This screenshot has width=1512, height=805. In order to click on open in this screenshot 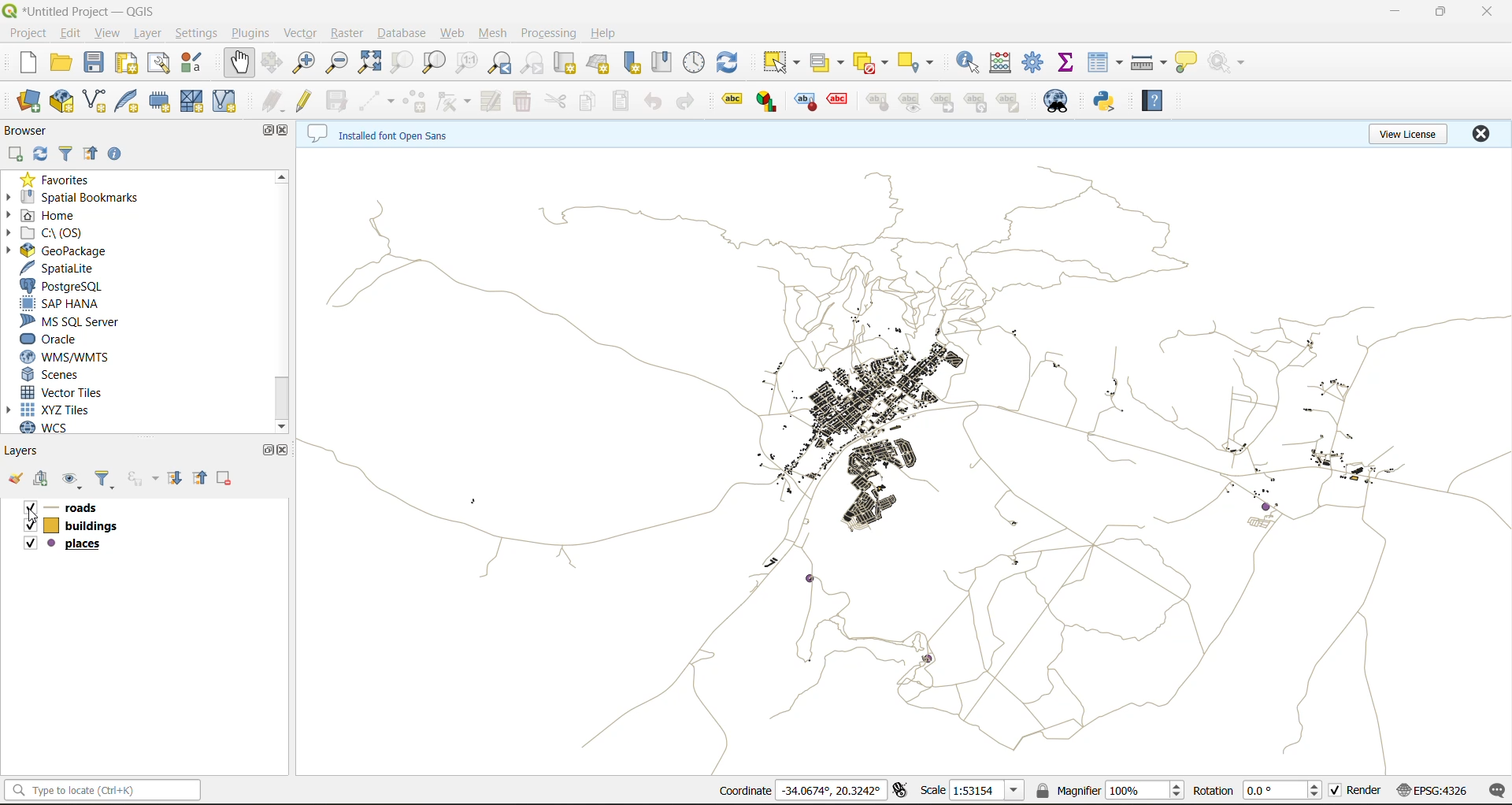, I will do `click(15, 479)`.